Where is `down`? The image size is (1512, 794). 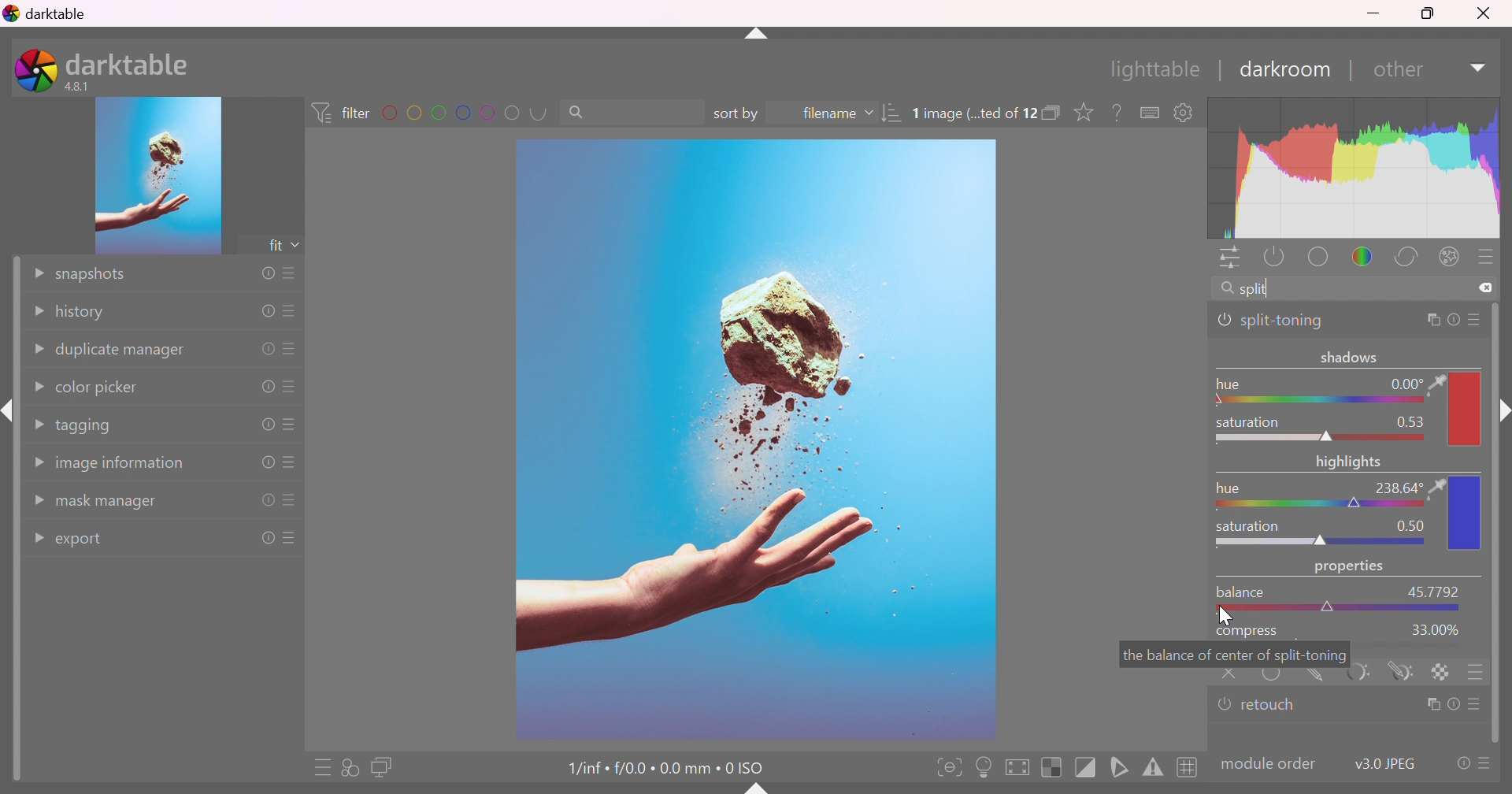 down is located at coordinates (1397, 69).